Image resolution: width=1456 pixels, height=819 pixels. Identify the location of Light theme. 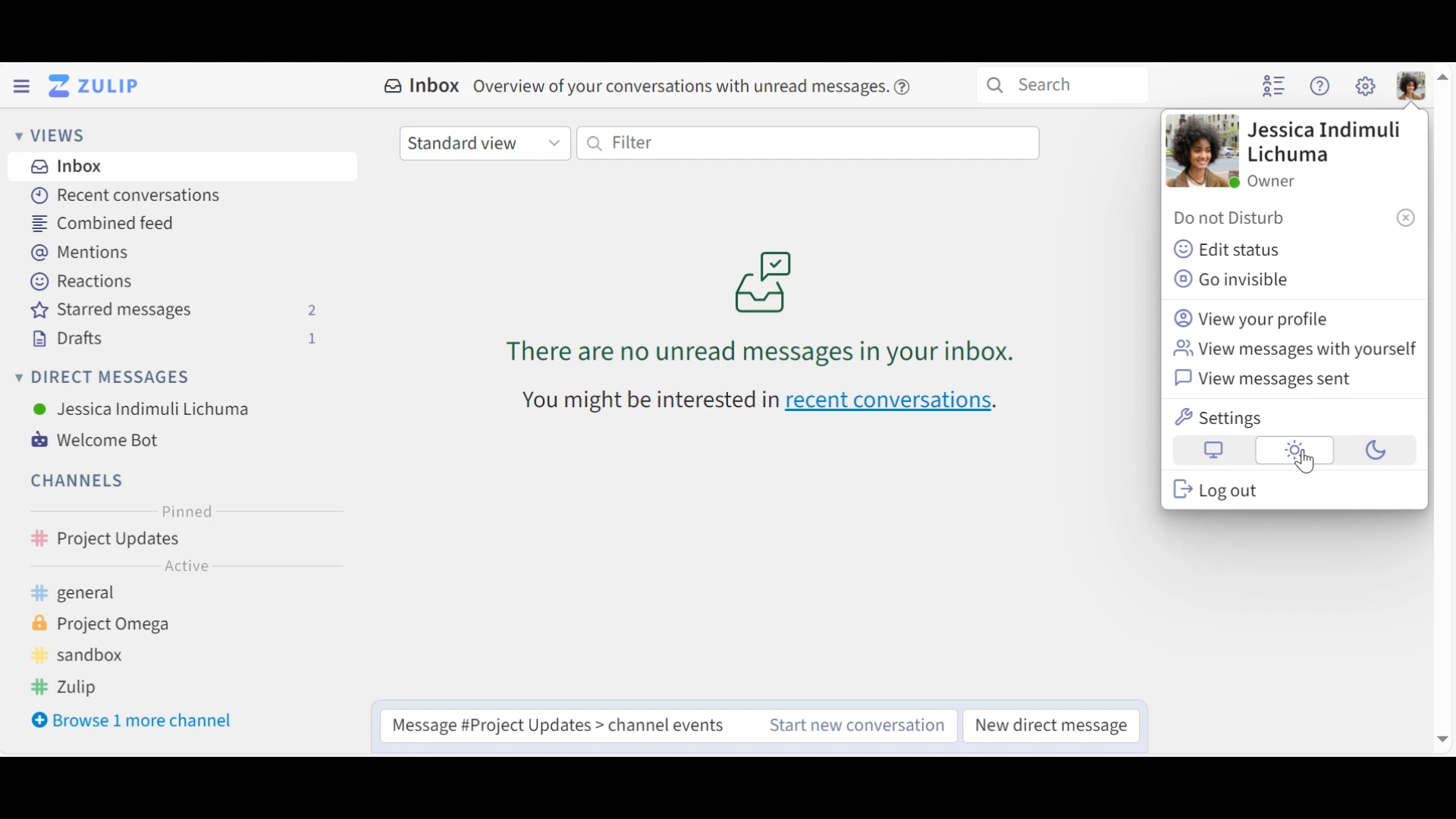
(1294, 451).